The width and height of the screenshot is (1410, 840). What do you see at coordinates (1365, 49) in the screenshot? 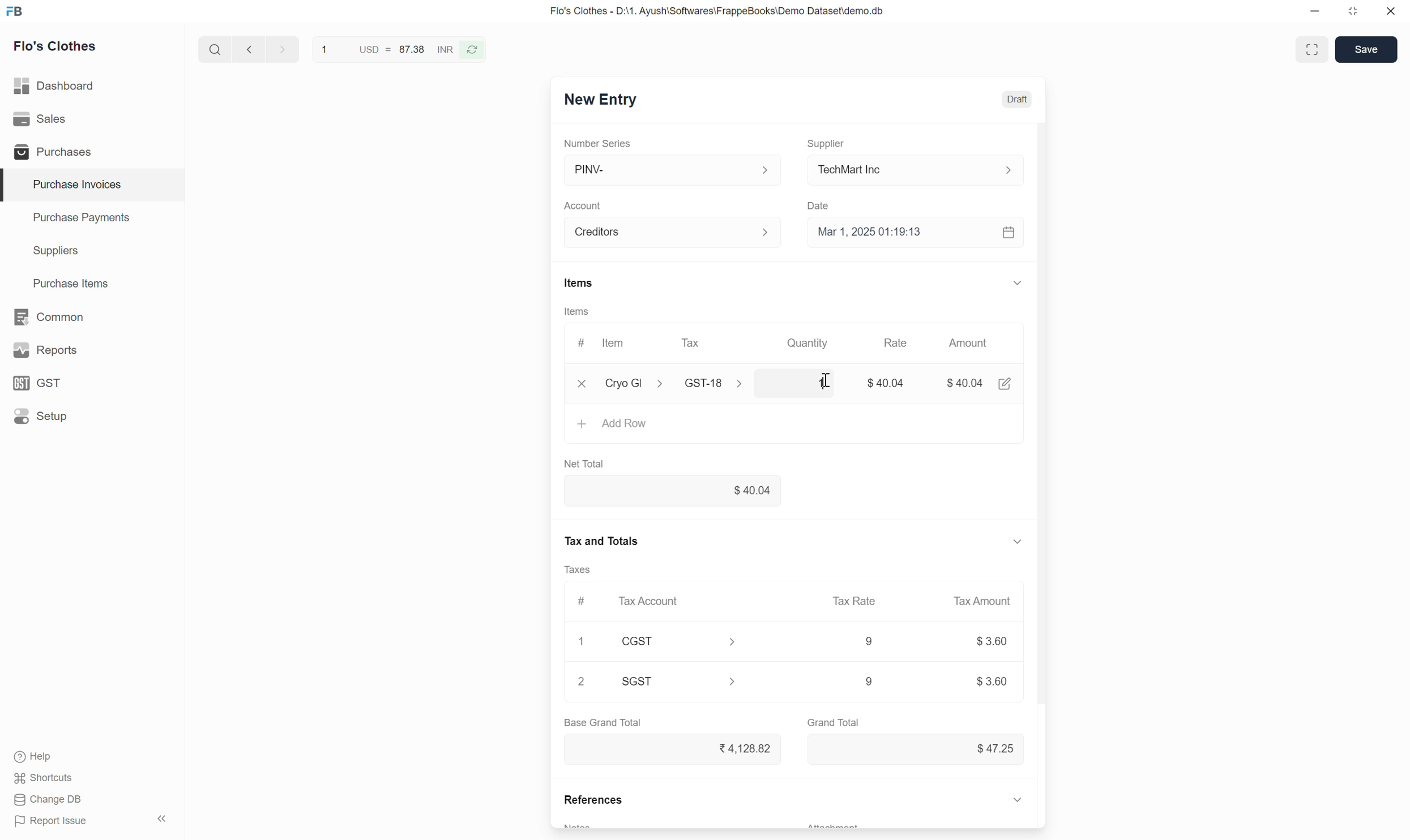
I see `Save` at bounding box center [1365, 49].